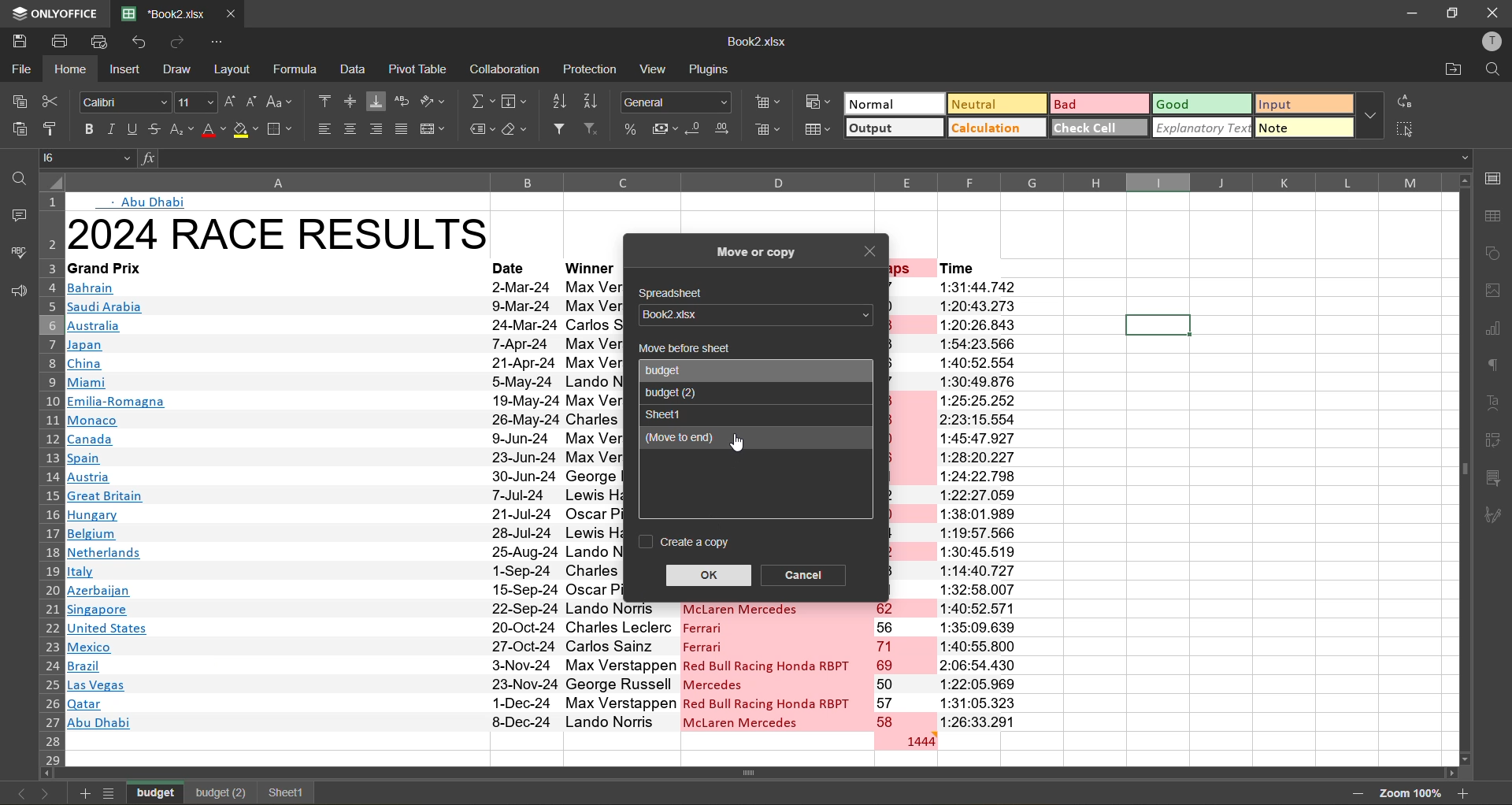  I want to click on close, so click(872, 254).